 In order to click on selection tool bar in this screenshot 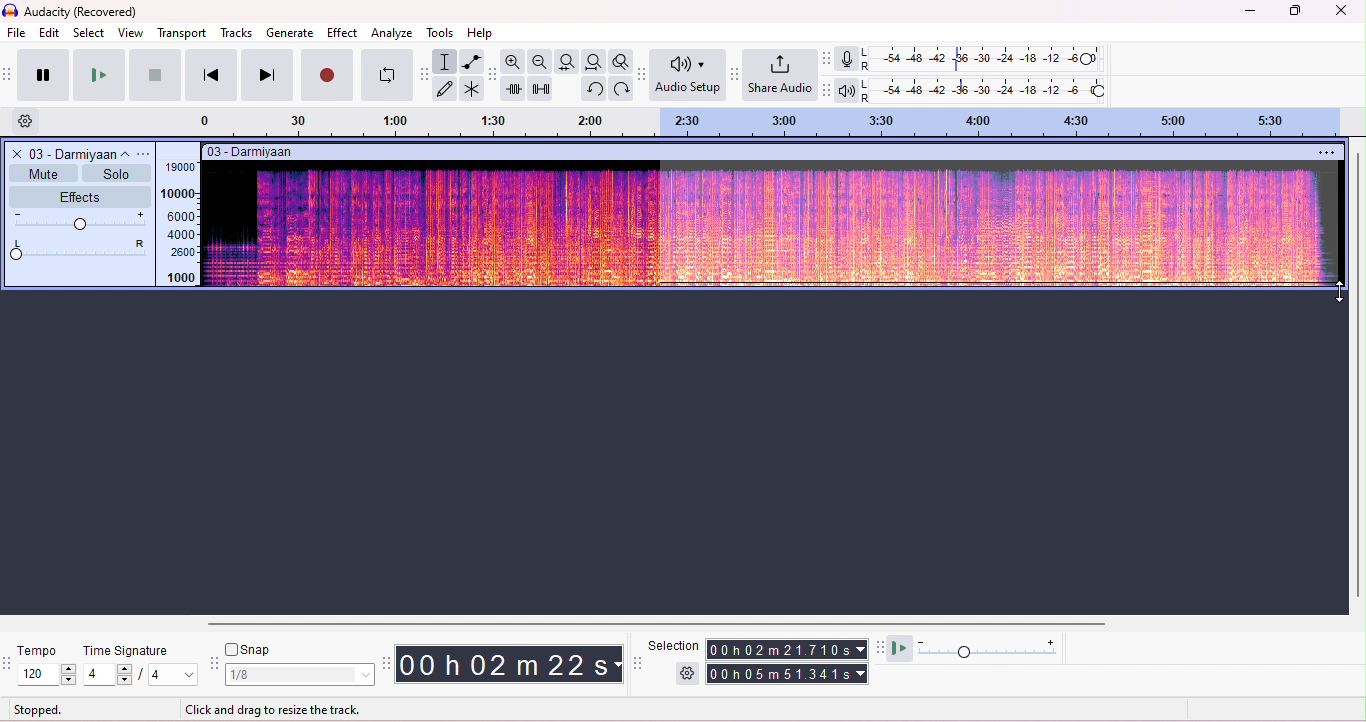, I will do `click(637, 662)`.